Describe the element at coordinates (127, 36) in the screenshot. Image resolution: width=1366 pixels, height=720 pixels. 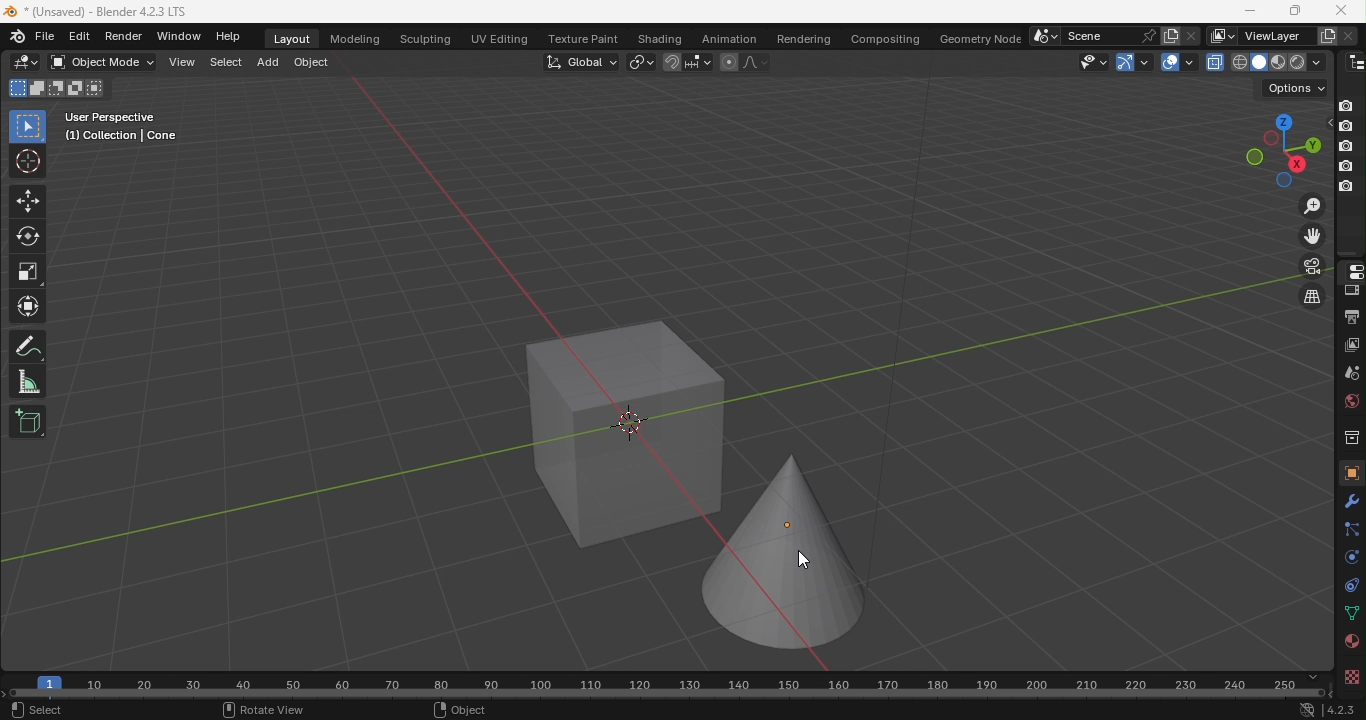
I see `Render` at that location.